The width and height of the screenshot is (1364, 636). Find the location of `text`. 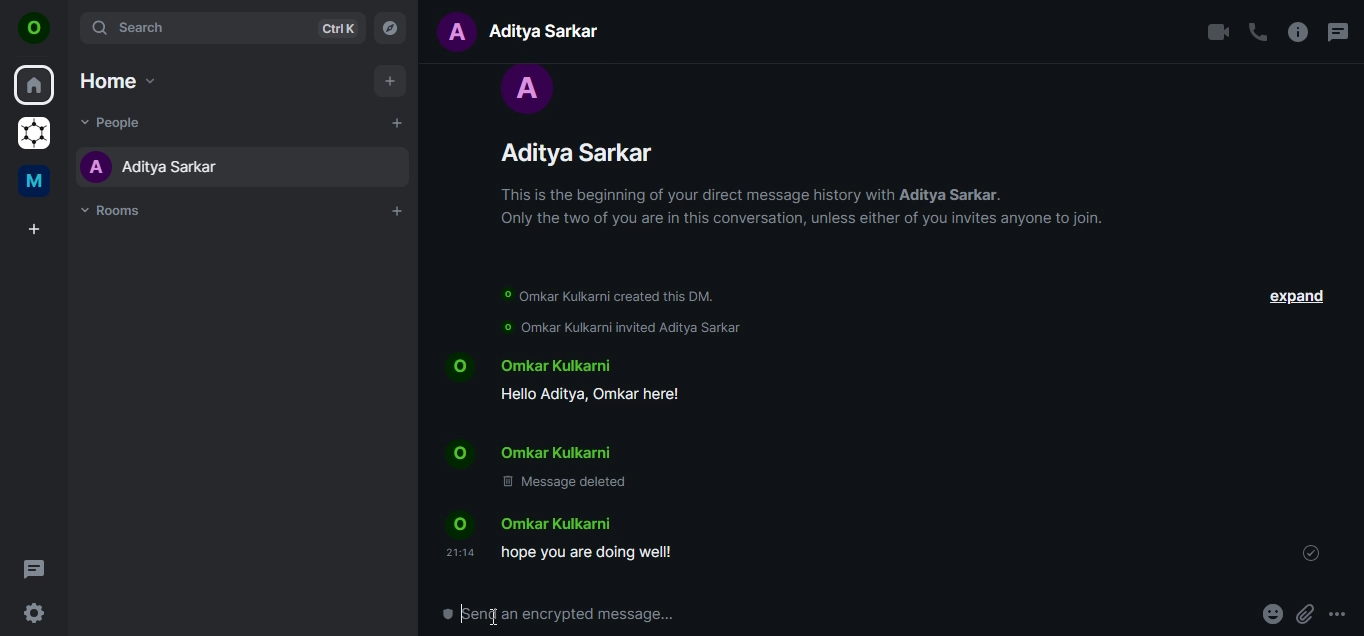

text is located at coordinates (531, 30).